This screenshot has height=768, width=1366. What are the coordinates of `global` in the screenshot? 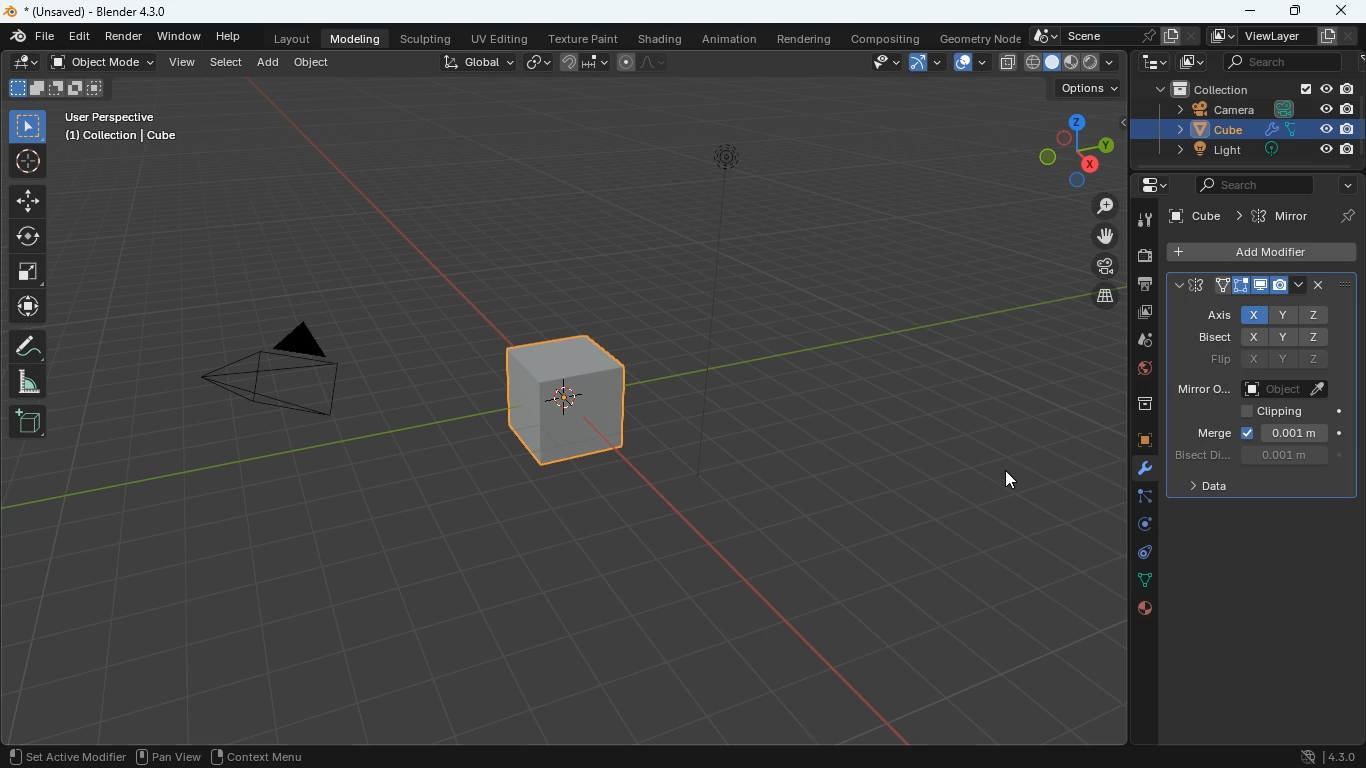 It's located at (477, 64).